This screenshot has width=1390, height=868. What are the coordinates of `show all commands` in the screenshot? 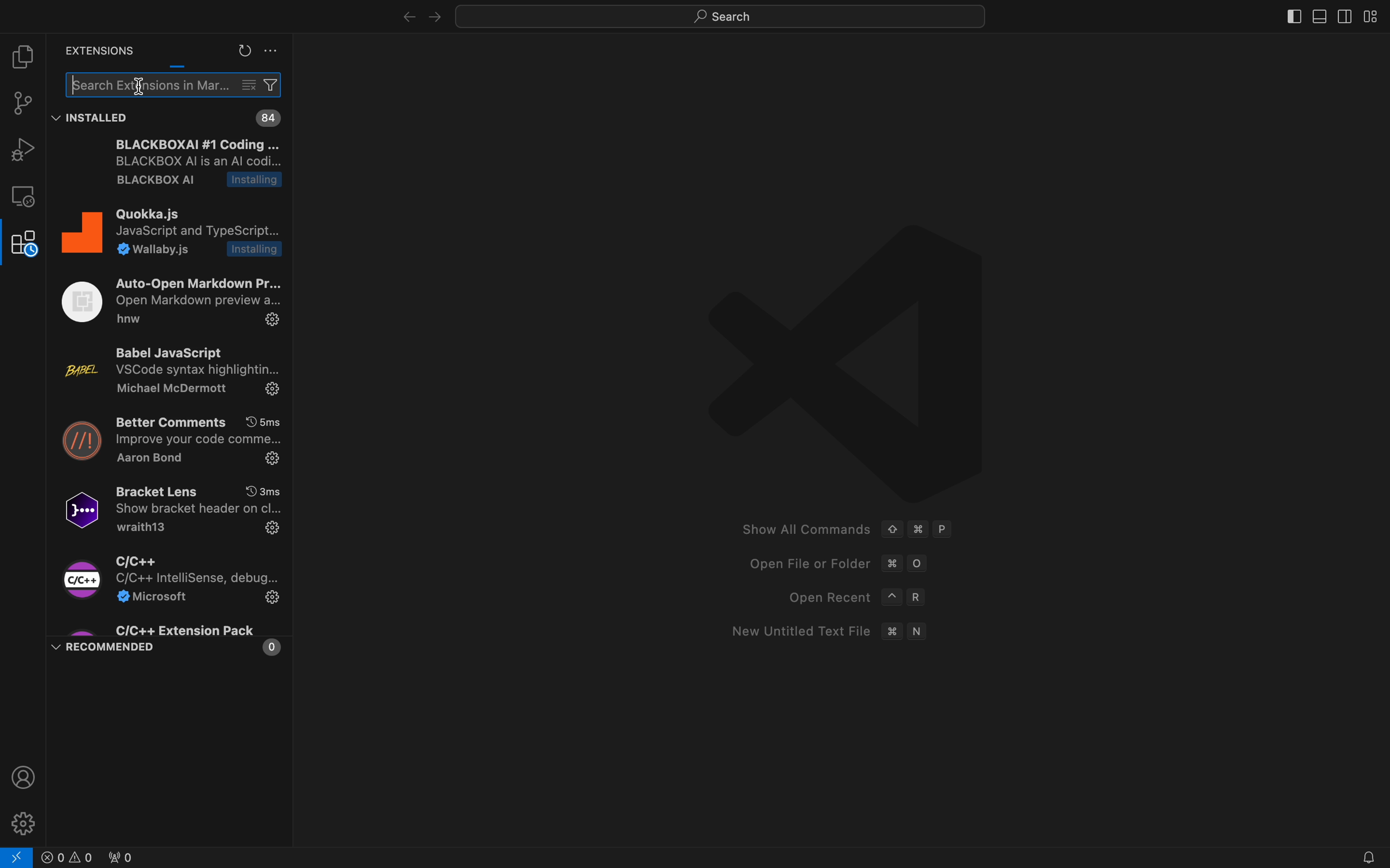 It's located at (856, 531).